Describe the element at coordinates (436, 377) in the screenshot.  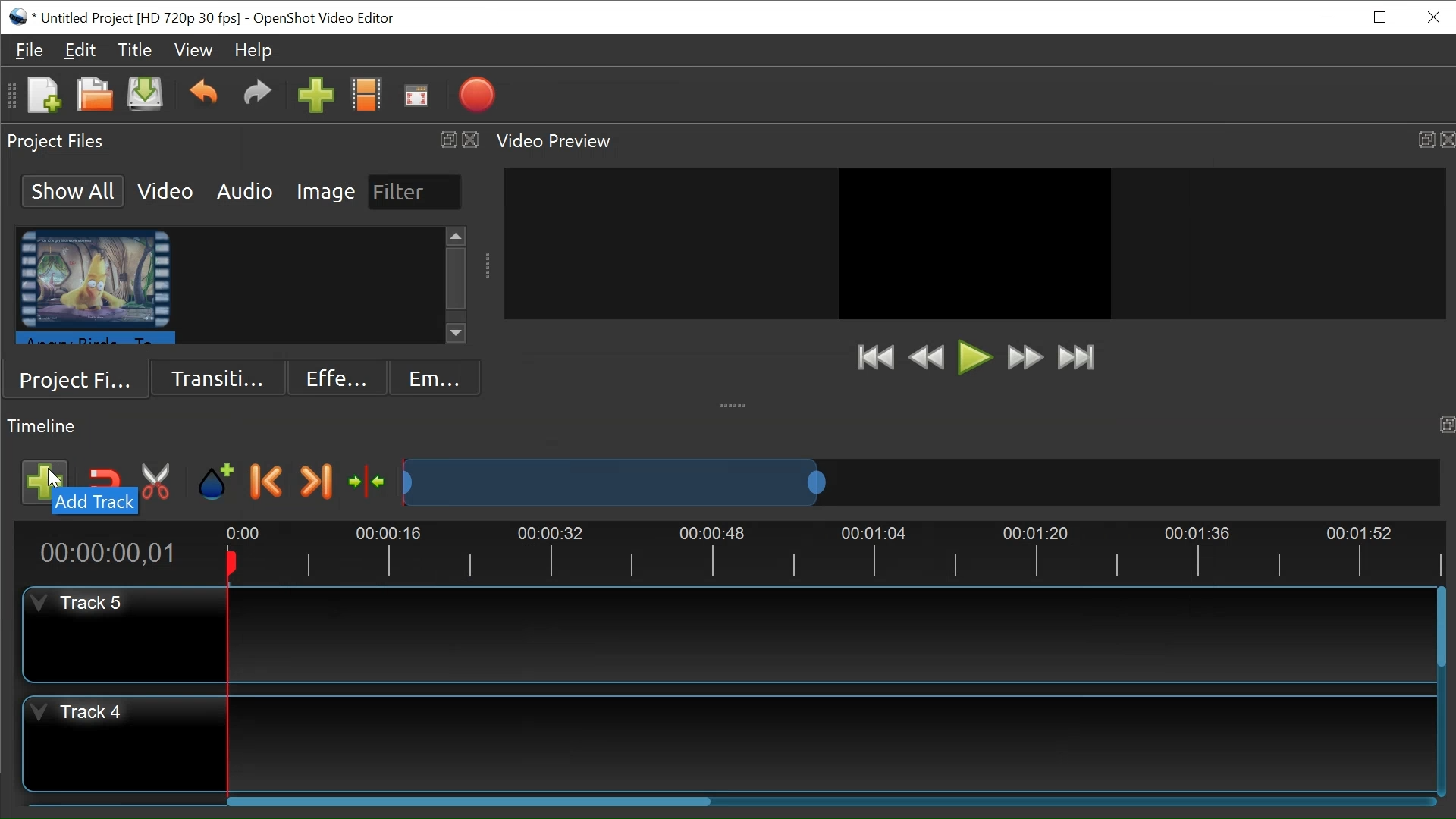
I see `Emoji` at that location.